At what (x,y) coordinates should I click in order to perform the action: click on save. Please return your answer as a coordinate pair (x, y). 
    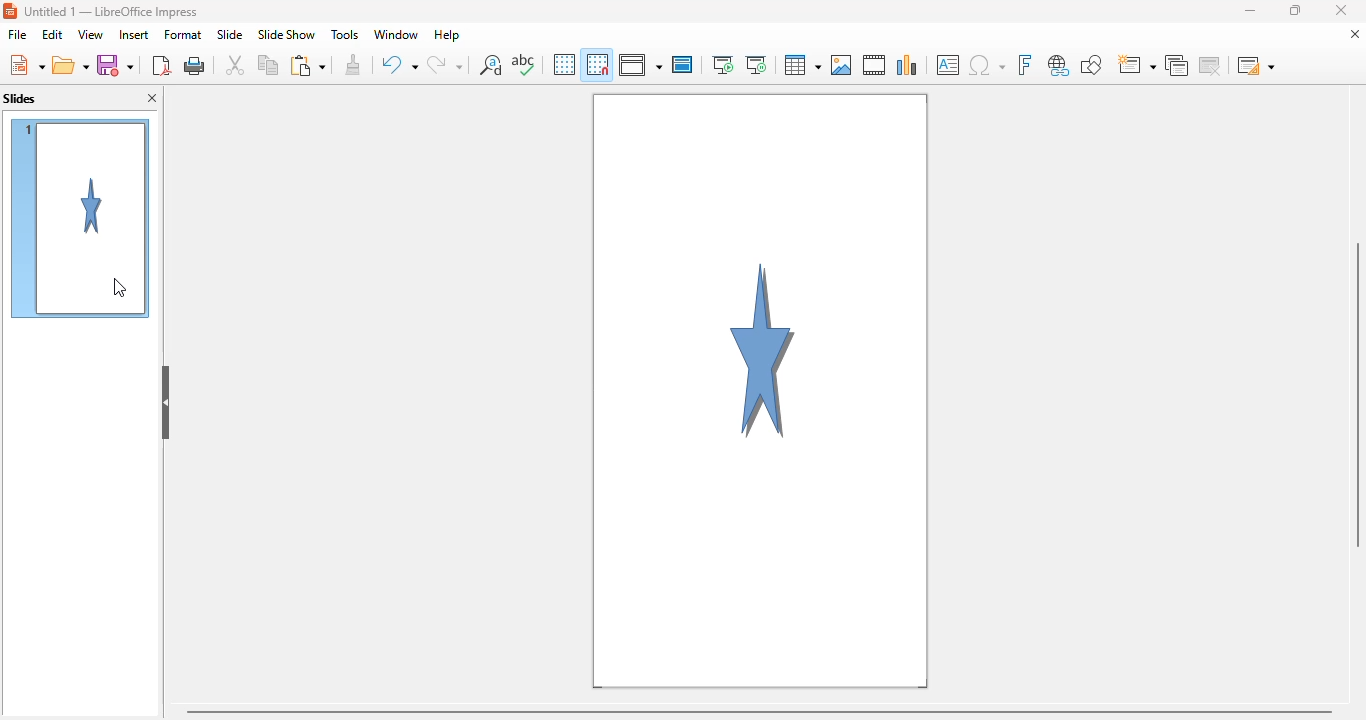
    Looking at the image, I should click on (114, 64).